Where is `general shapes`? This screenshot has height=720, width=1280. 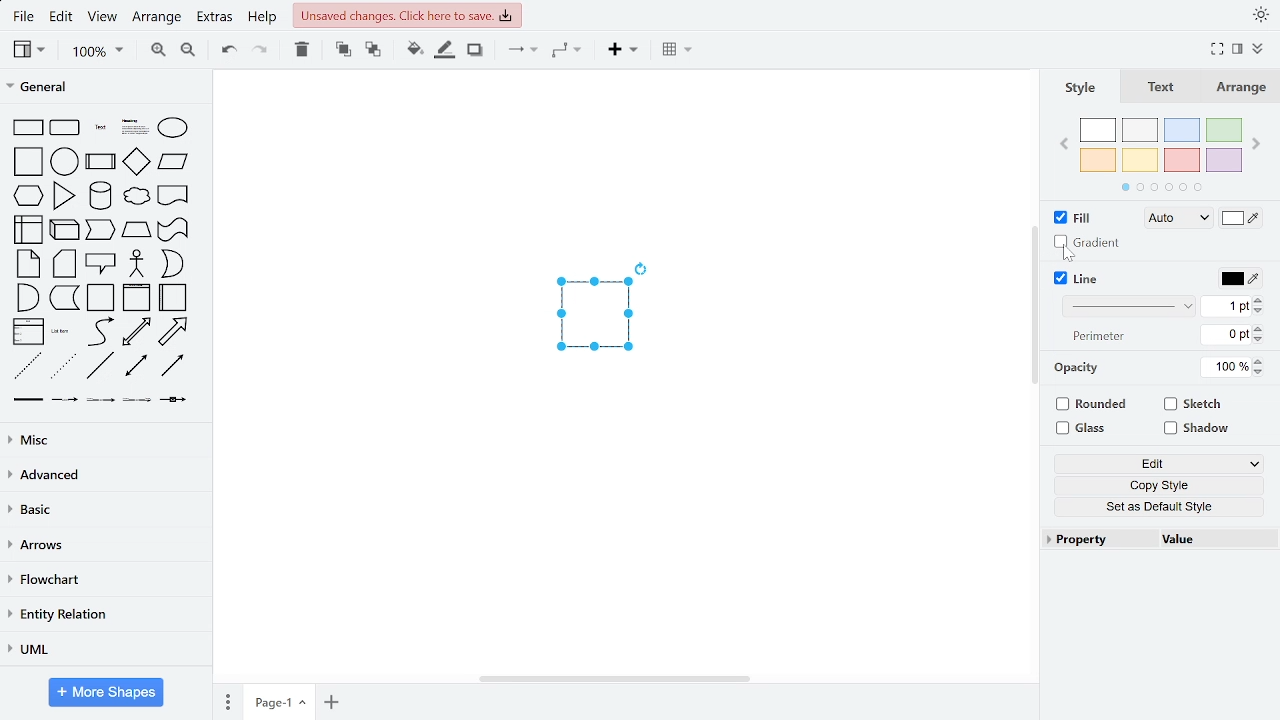
general shapes is located at coordinates (26, 127).